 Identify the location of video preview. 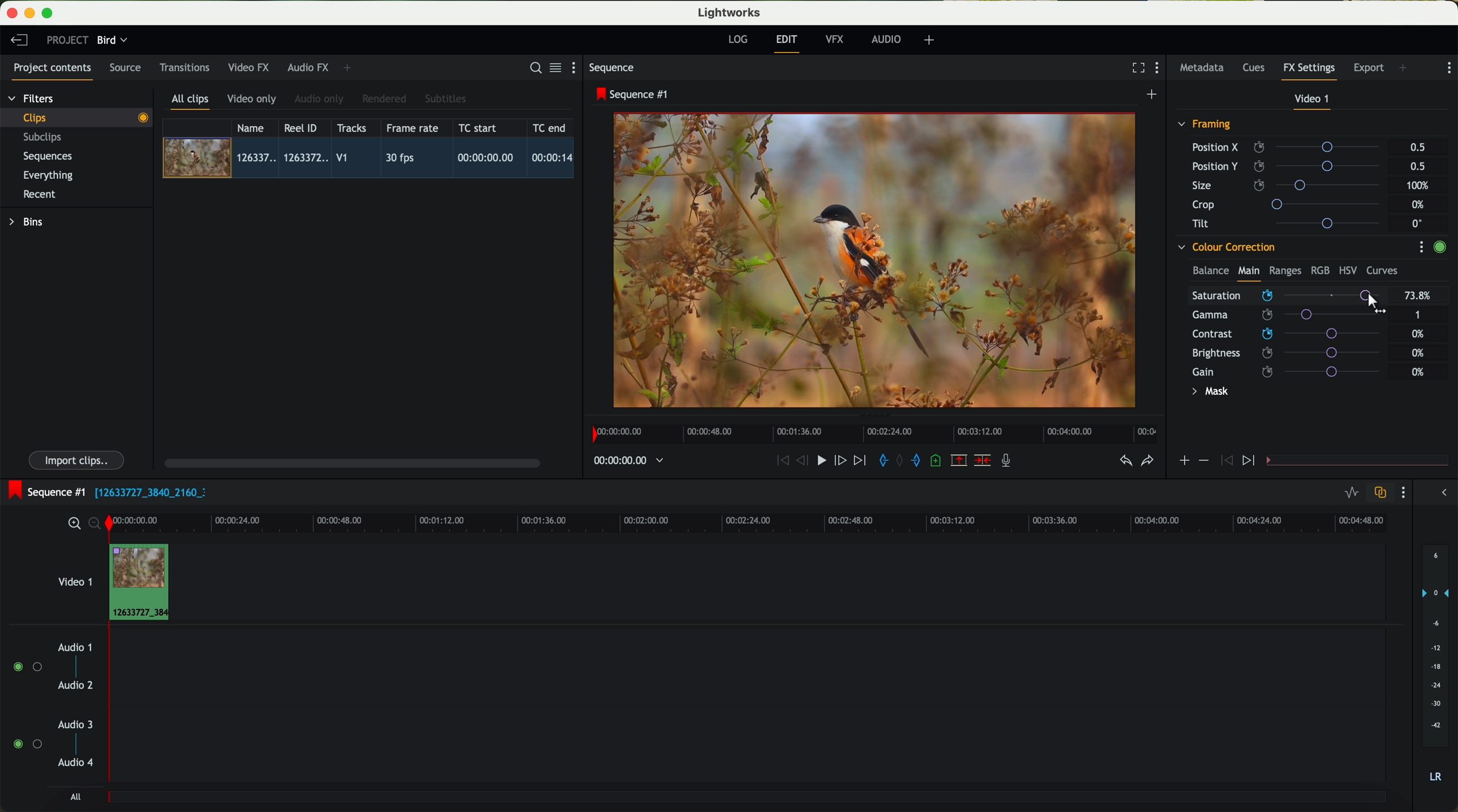
(880, 261).